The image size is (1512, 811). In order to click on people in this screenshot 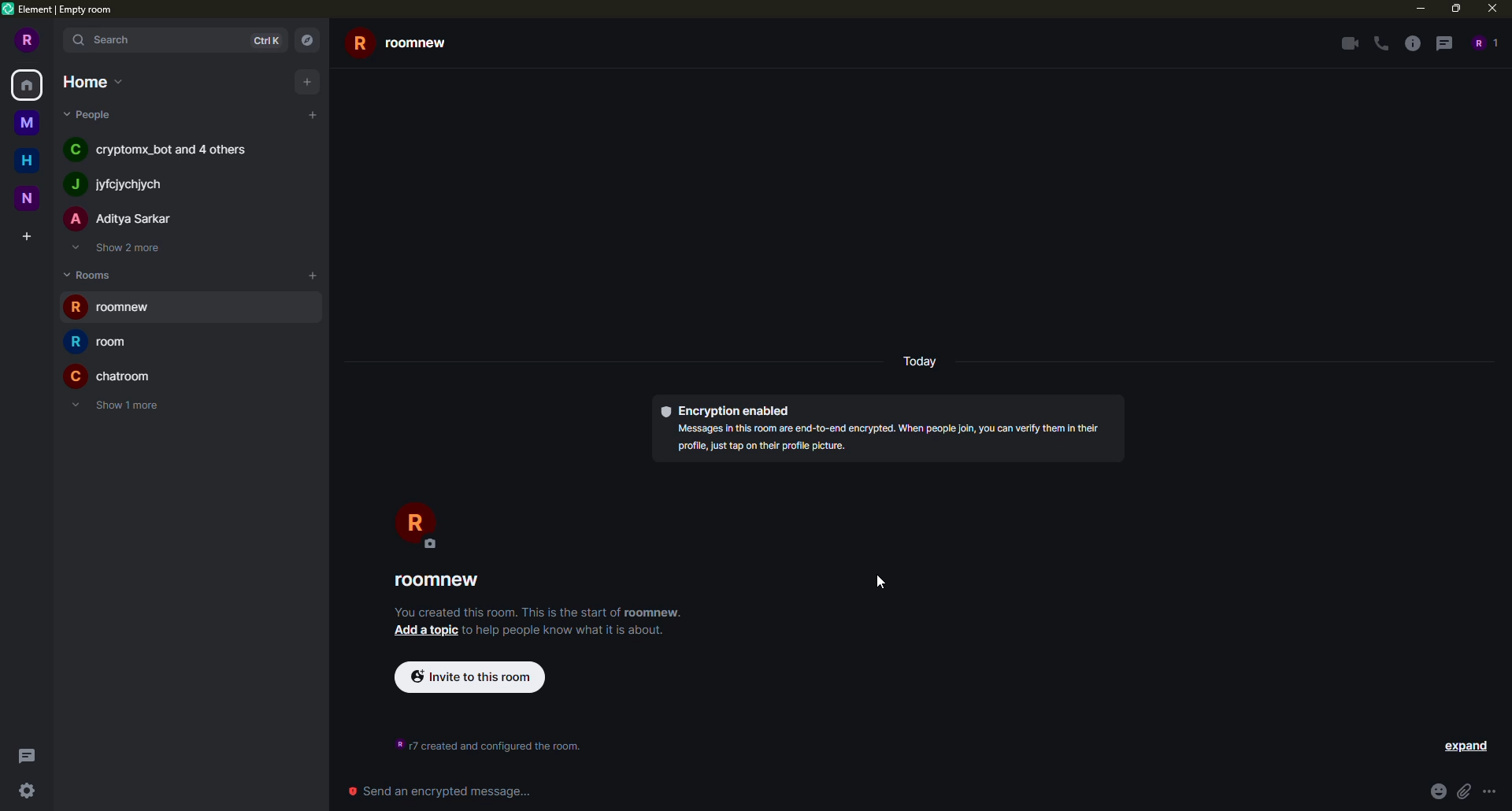, I will do `click(91, 111)`.